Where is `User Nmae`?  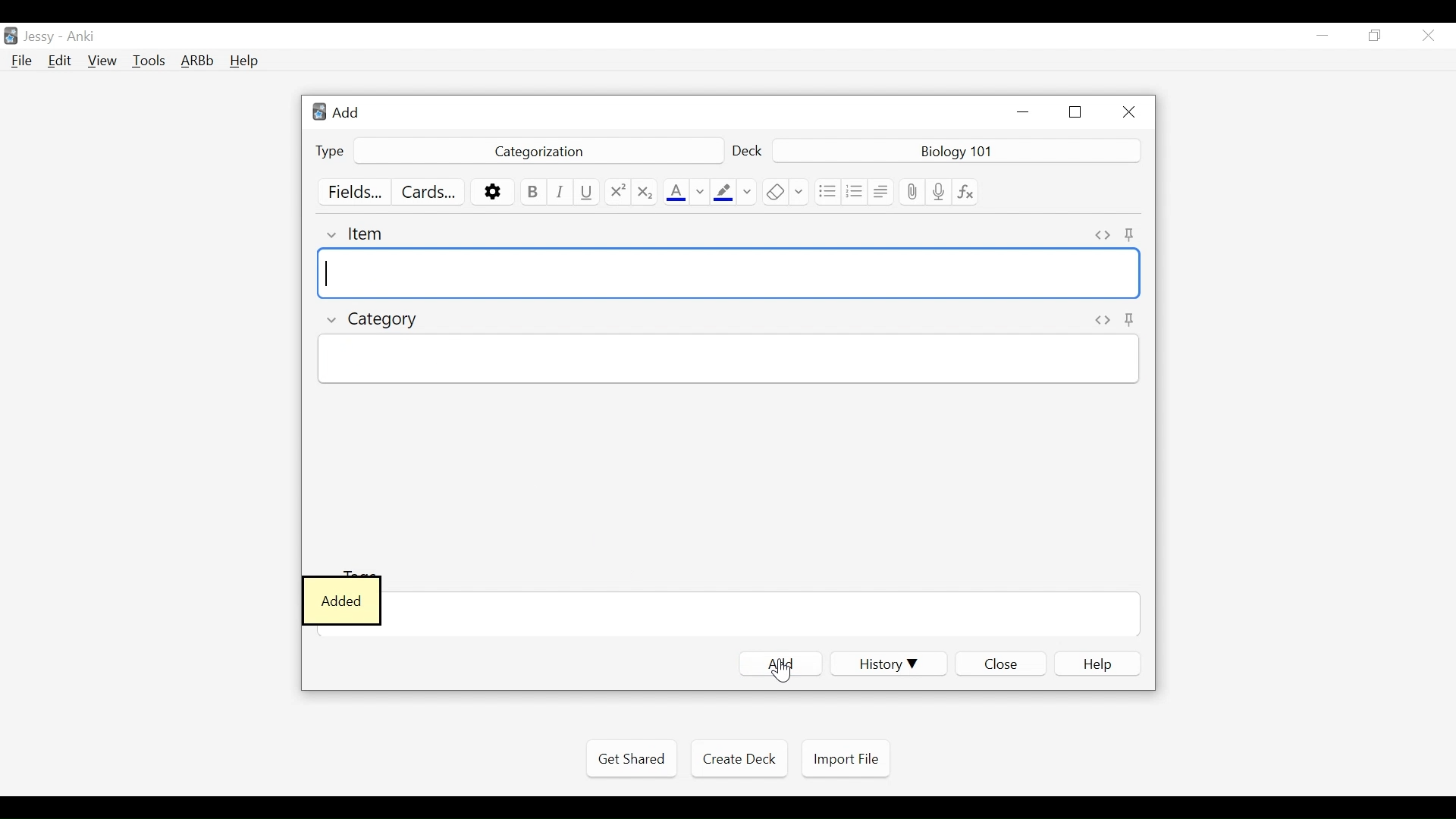 User Nmae is located at coordinates (42, 37).